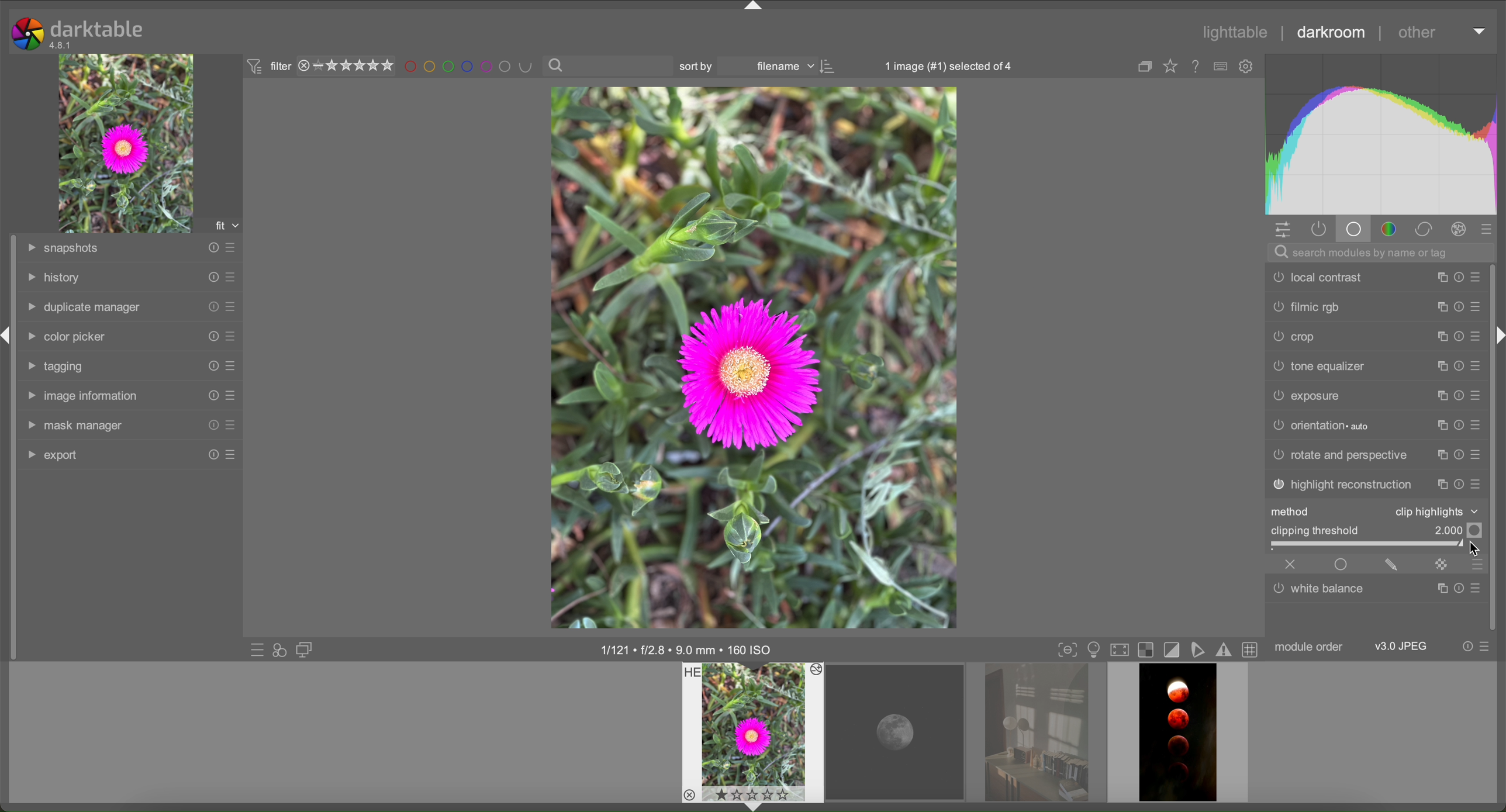 The width and height of the screenshot is (1506, 812). What do you see at coordinates (1148, 650) in the screenshot?
I see `overexposure` at bounding box center [1148, 650].